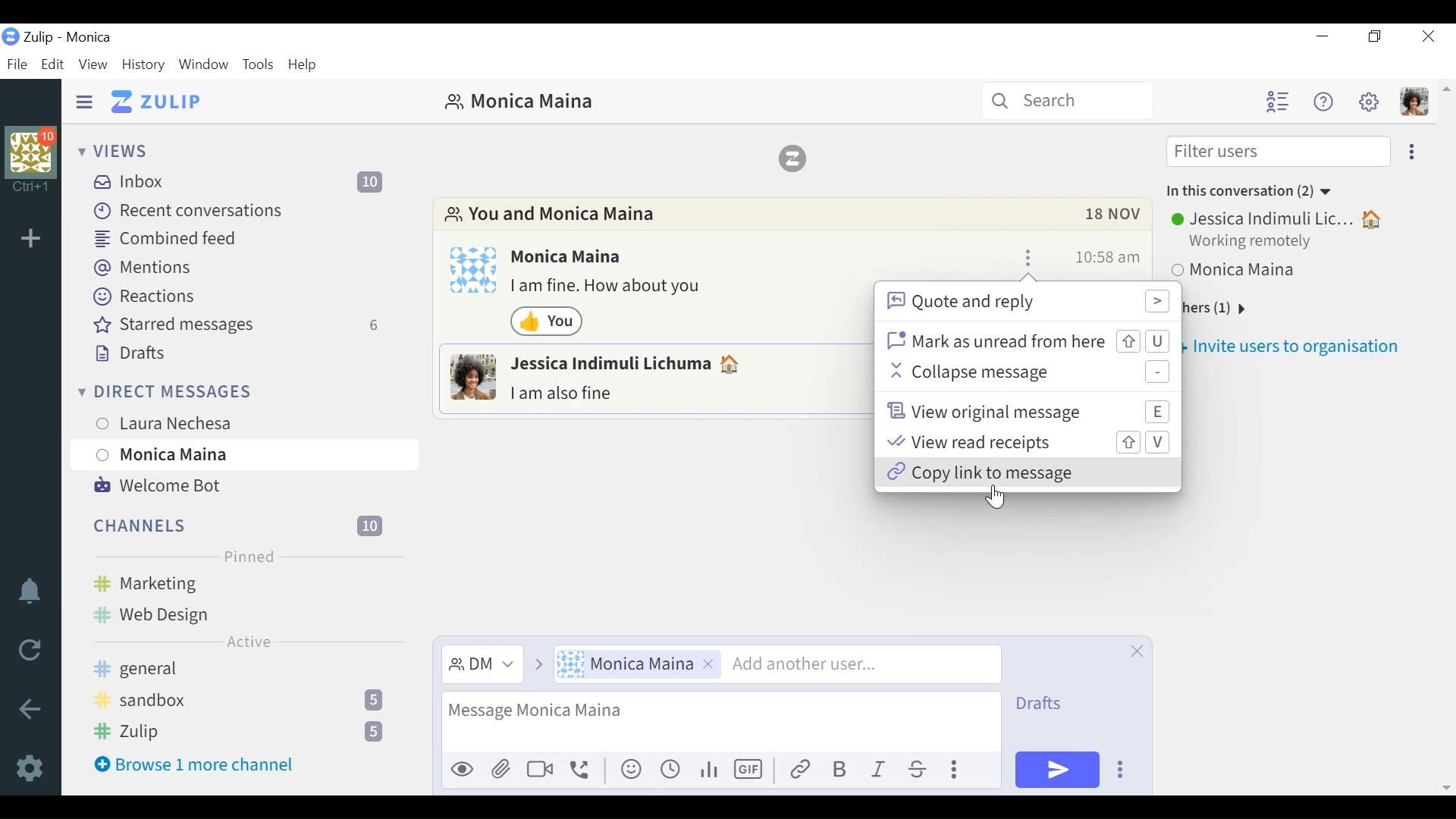  What do you see at coordinates (375, 392) in the screenshot?
I see `New Direct message` at bounding box center [375, 392].